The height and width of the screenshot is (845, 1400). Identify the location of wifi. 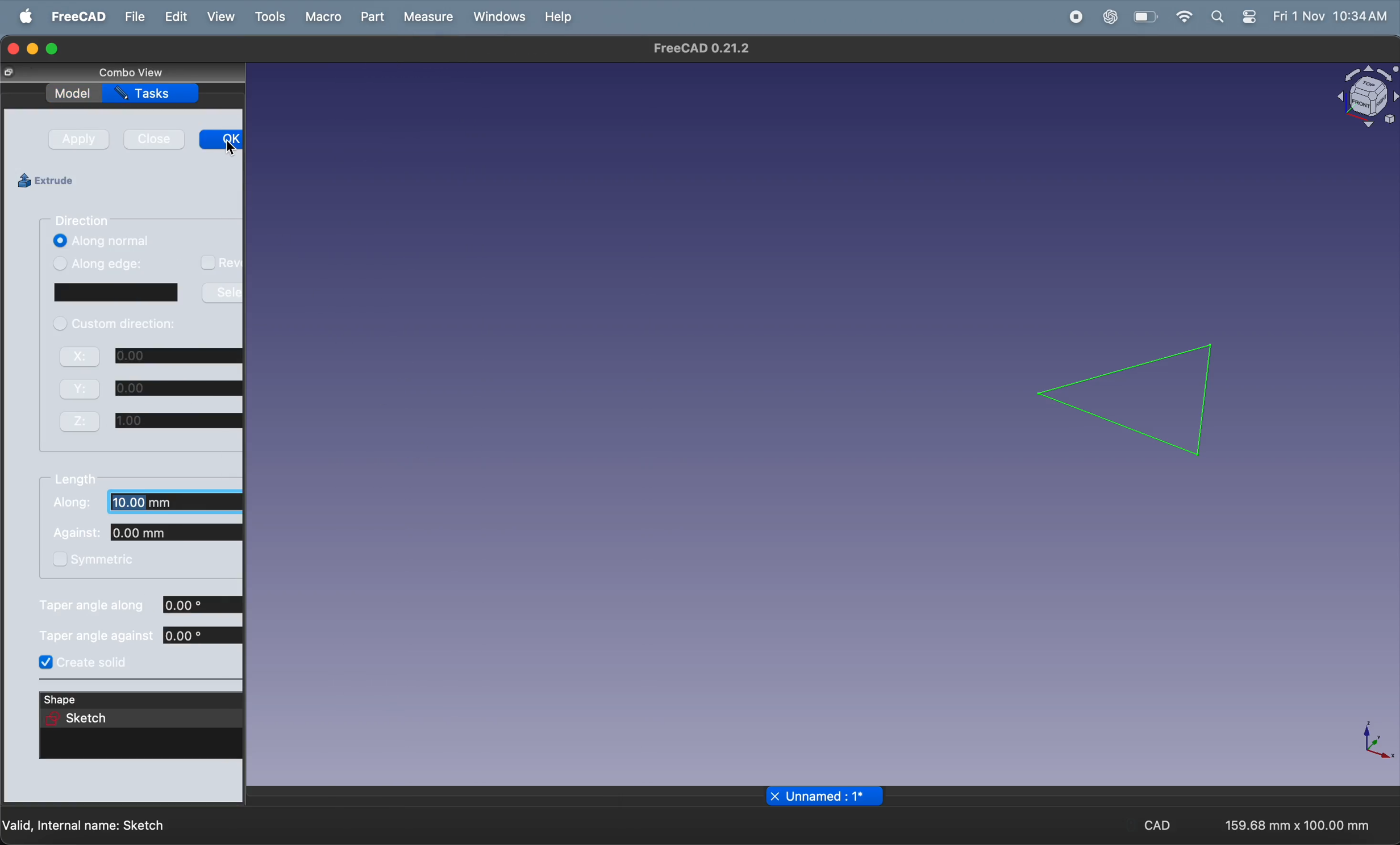
(1184, 16).